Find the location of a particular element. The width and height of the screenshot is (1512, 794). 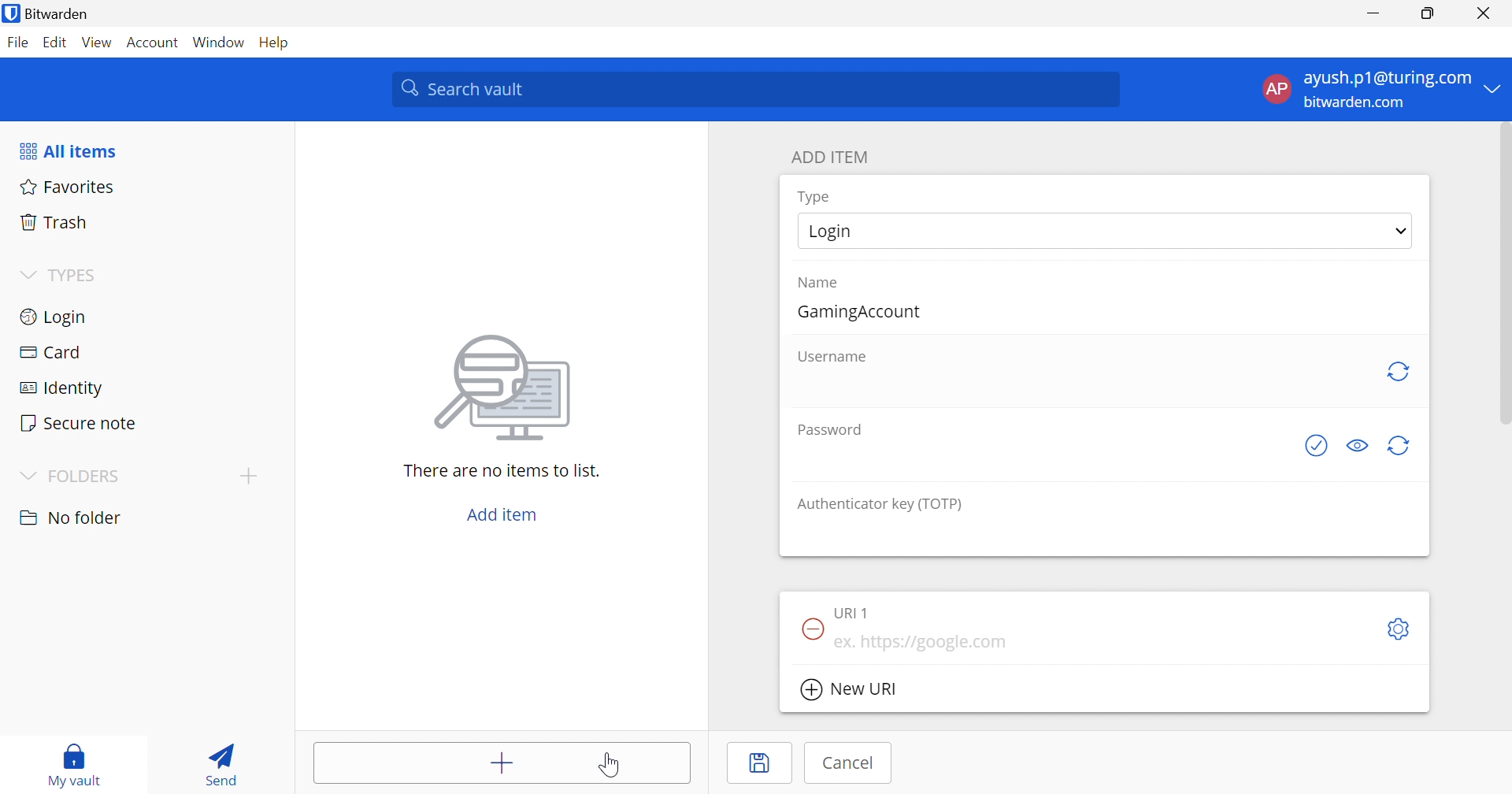

TYPES is located at coordinates (77, 274).